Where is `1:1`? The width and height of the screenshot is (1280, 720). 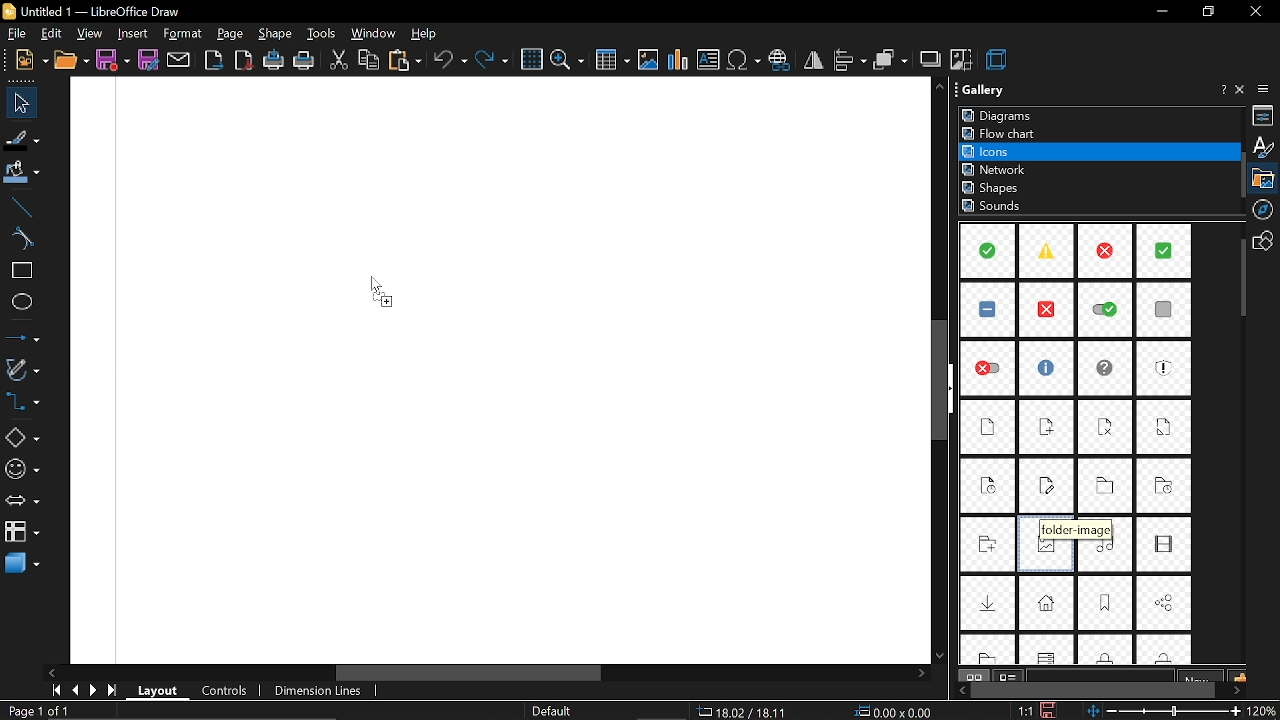 1:1 is located at coordinates (1025, 710).